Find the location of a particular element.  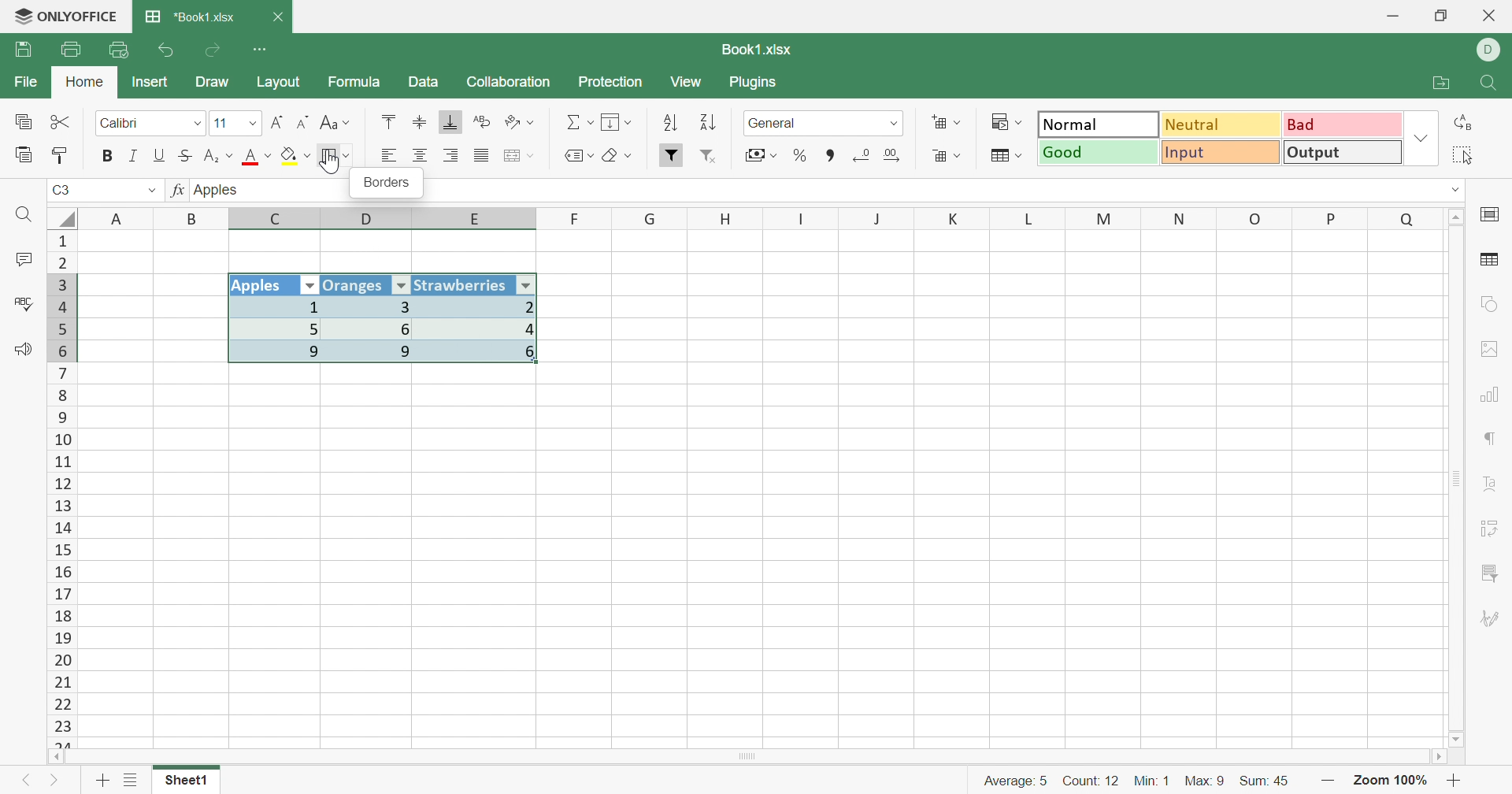

Insert cells is located at coordinates (947, 124).